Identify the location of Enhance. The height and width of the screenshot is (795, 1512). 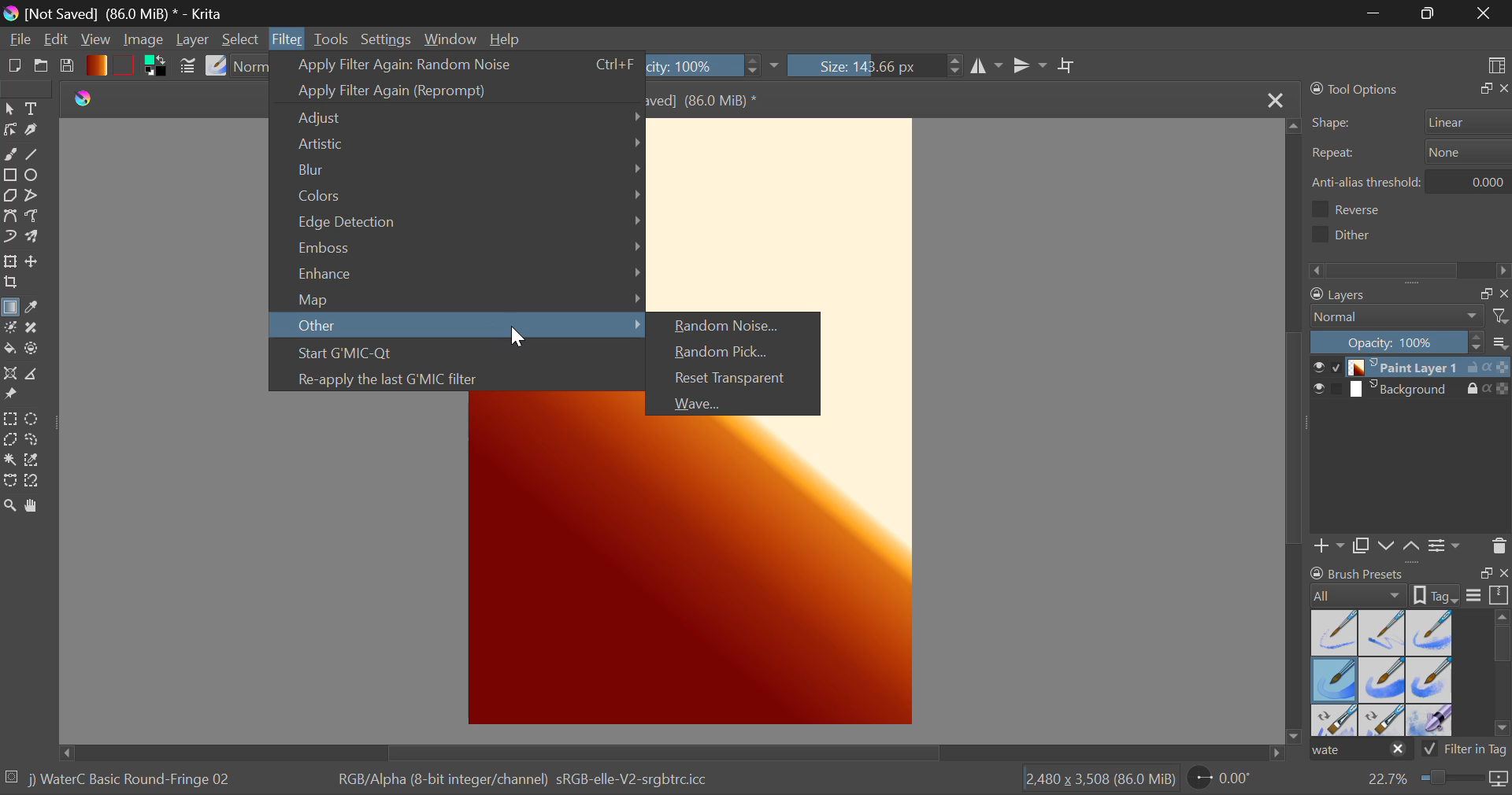
(458, 274).